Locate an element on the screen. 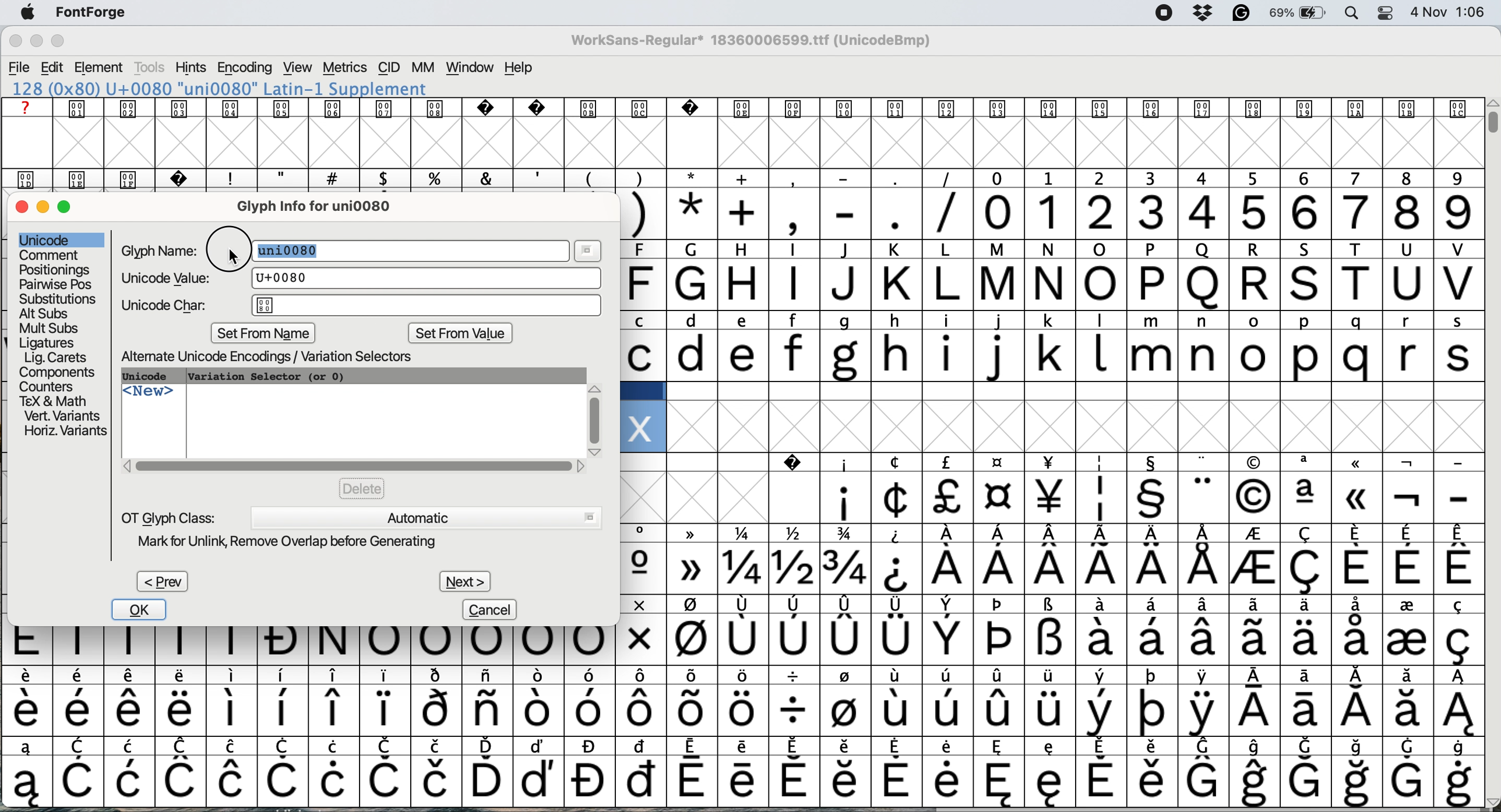 Image resolution: width=1501 pixels, height=812 pixels. delete is located at coordinates (362, 488).